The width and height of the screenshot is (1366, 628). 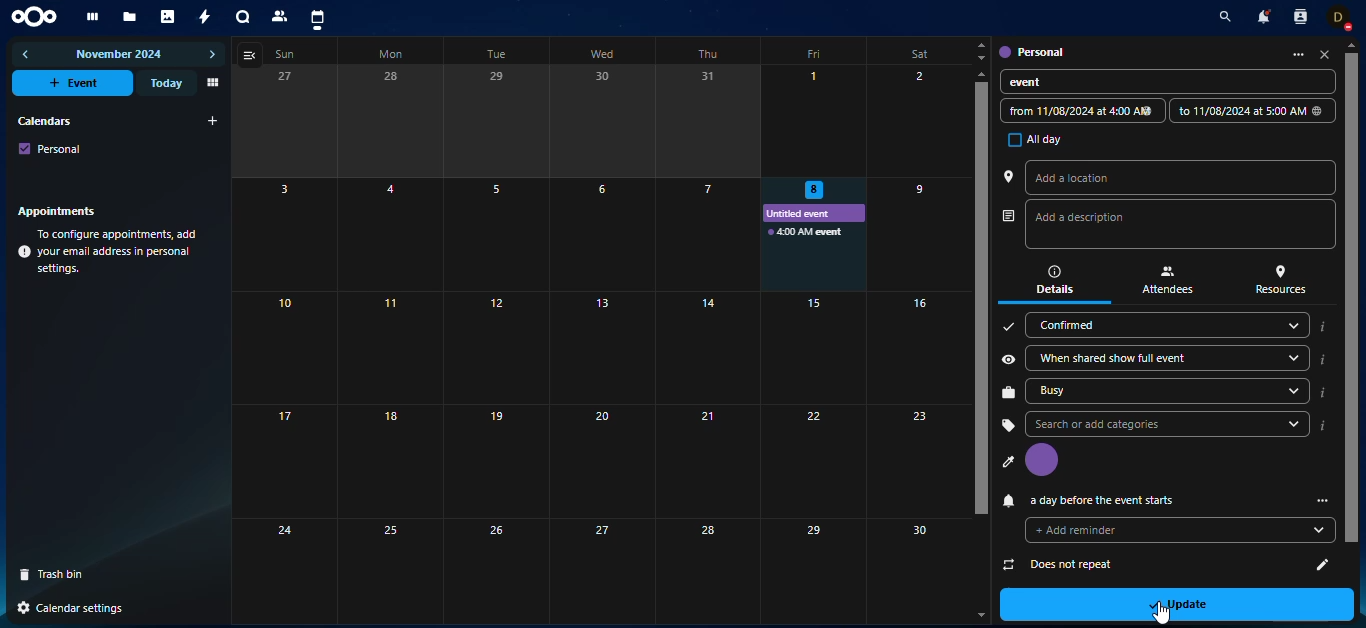 What do you see at coordinates (1009, 424) in the screenshot?
I see `tag` at bounding box center [1009, 424].